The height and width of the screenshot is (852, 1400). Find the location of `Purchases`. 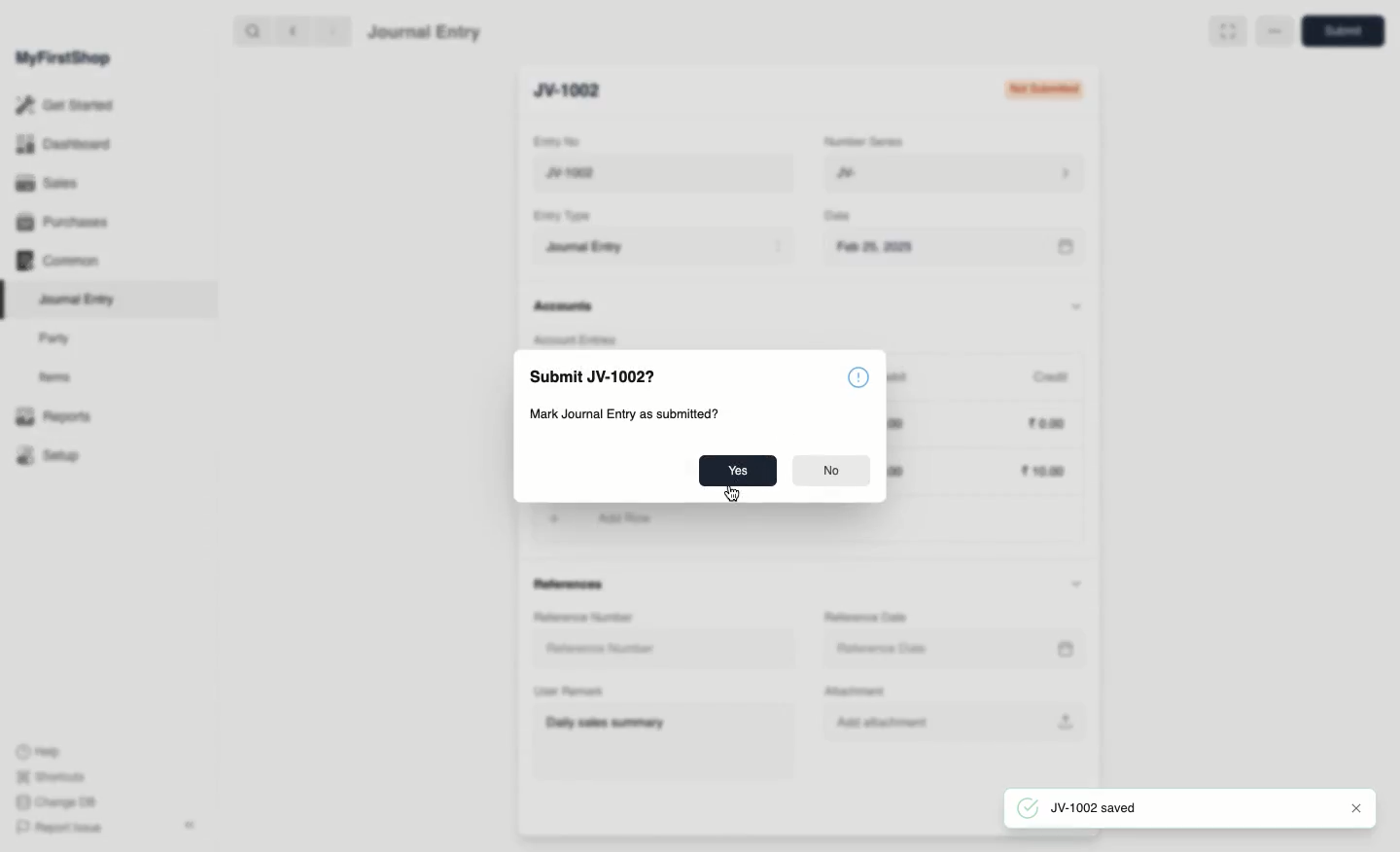

Purchases is located at coordinates (67, 223).